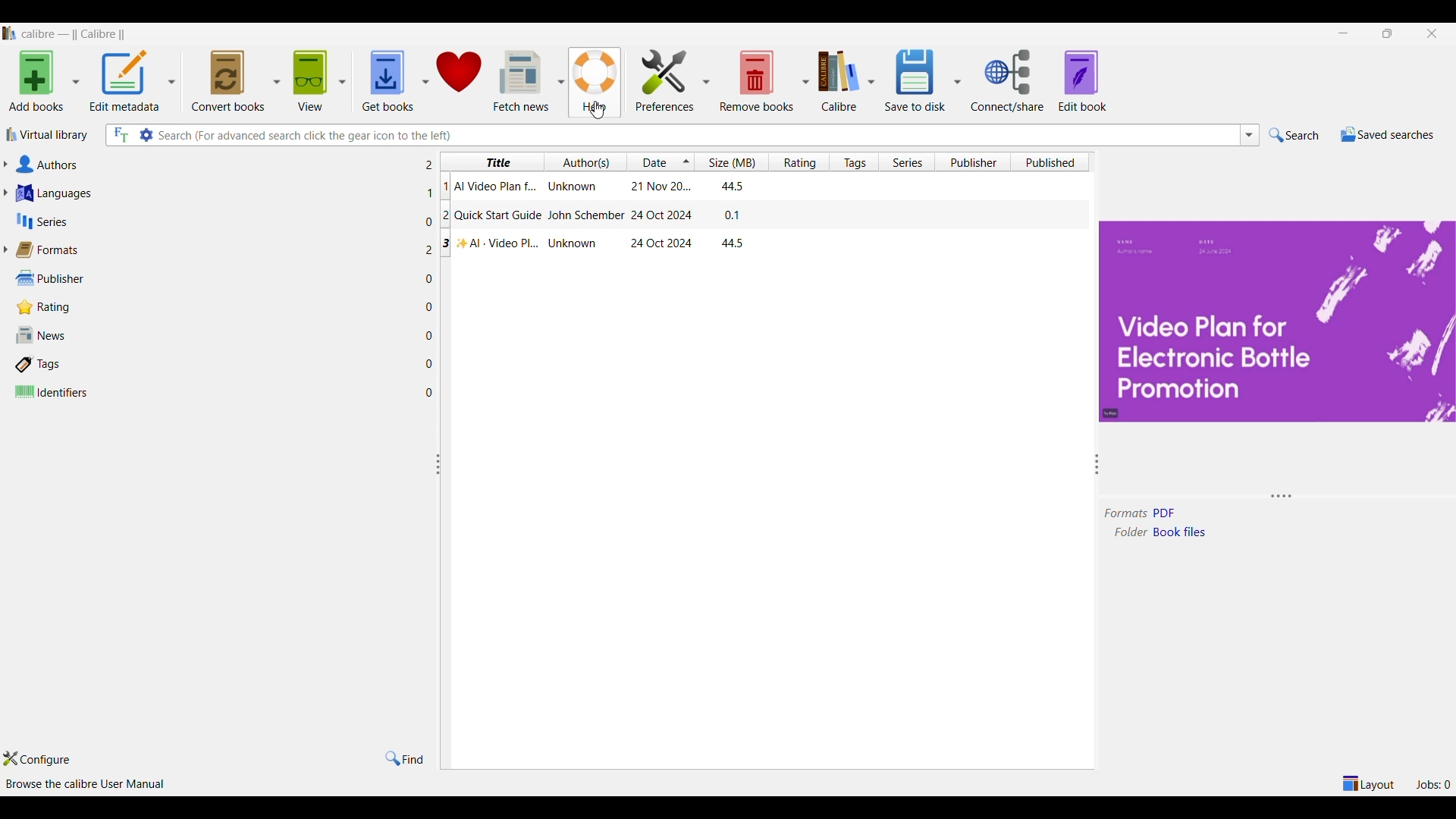 This screenshot has width=1456, height=819. I want to click on Clos interface, so click(1432, 34).